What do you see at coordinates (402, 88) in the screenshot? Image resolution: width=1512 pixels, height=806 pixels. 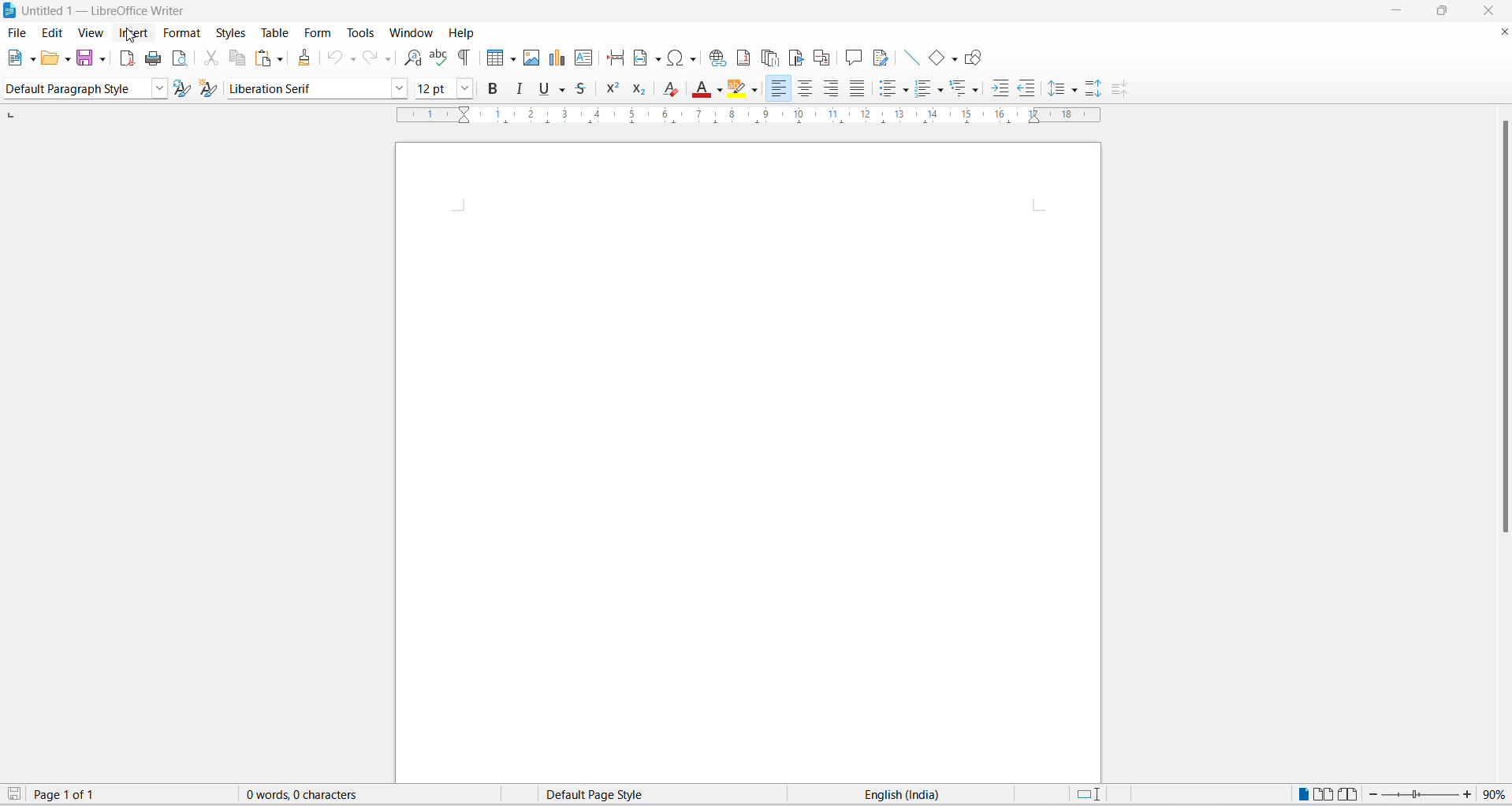 I see `font name options` at bounding box center [402, 88].